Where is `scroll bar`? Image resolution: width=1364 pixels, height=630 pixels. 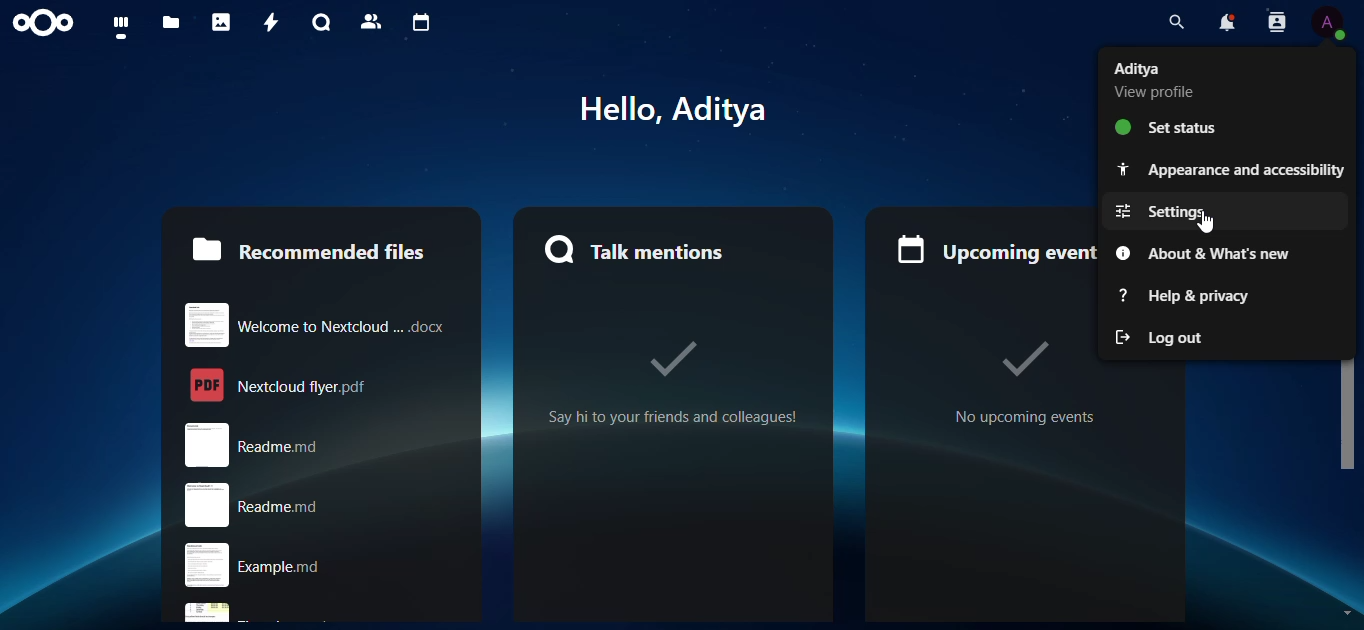 scroll bar is located at coordinates (1347, 272).